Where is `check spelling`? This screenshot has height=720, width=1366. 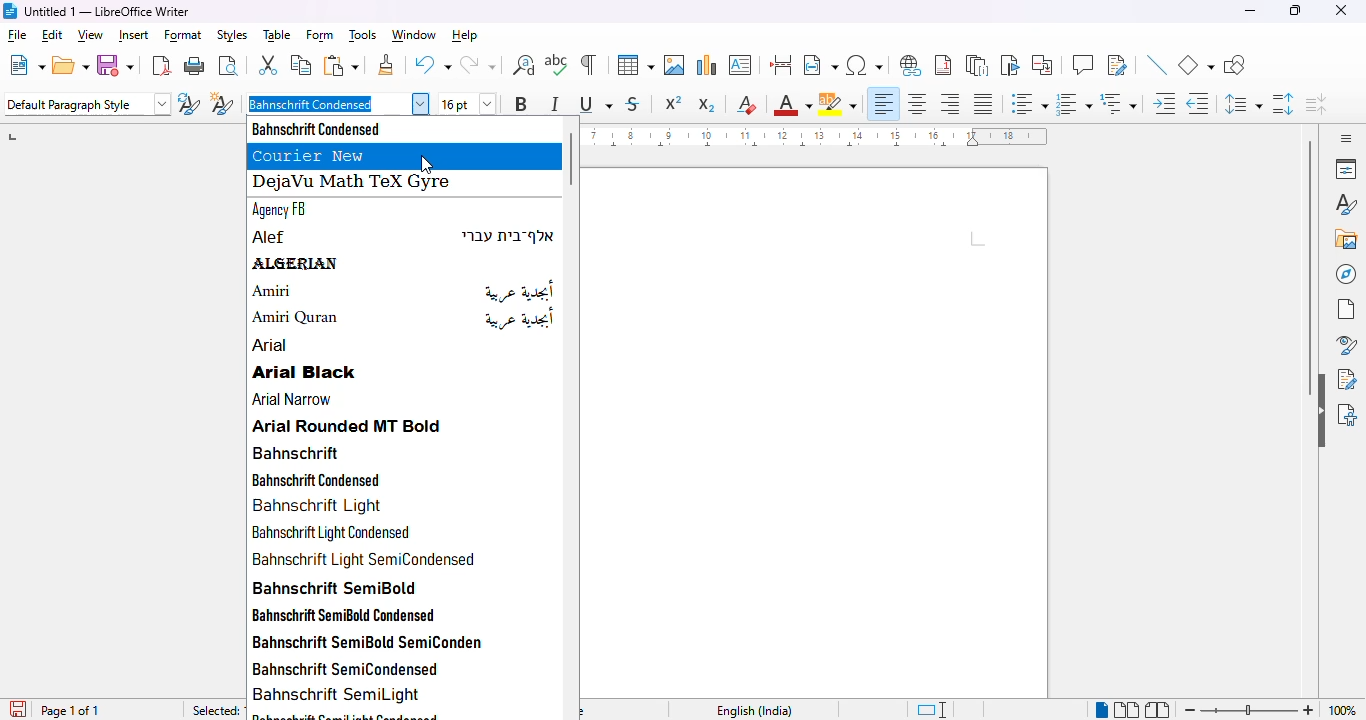 check spelling is located at coordinates (557, 64).